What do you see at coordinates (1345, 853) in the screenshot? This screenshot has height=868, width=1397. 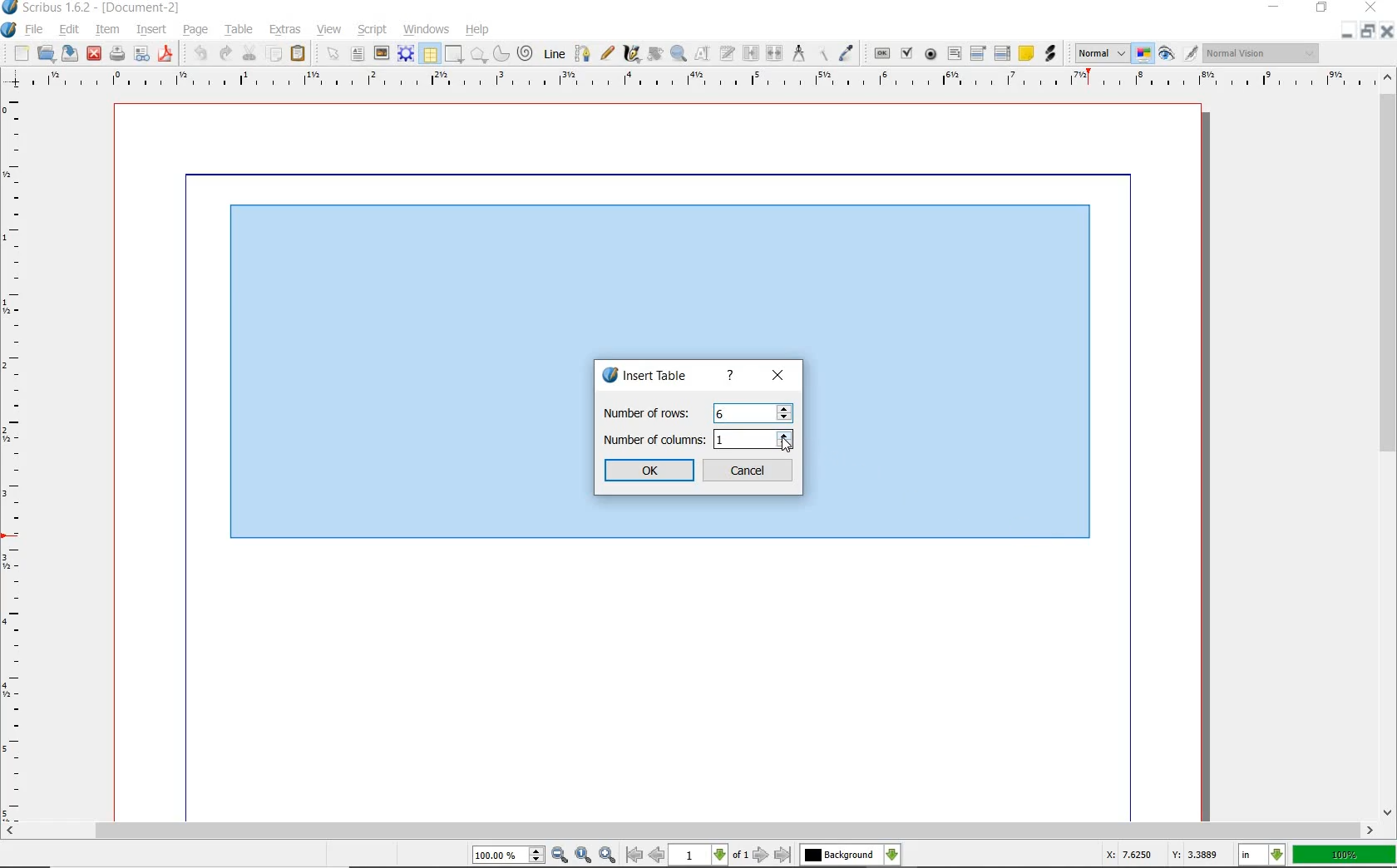 I see `100%` at bounding box center [1345, 853].